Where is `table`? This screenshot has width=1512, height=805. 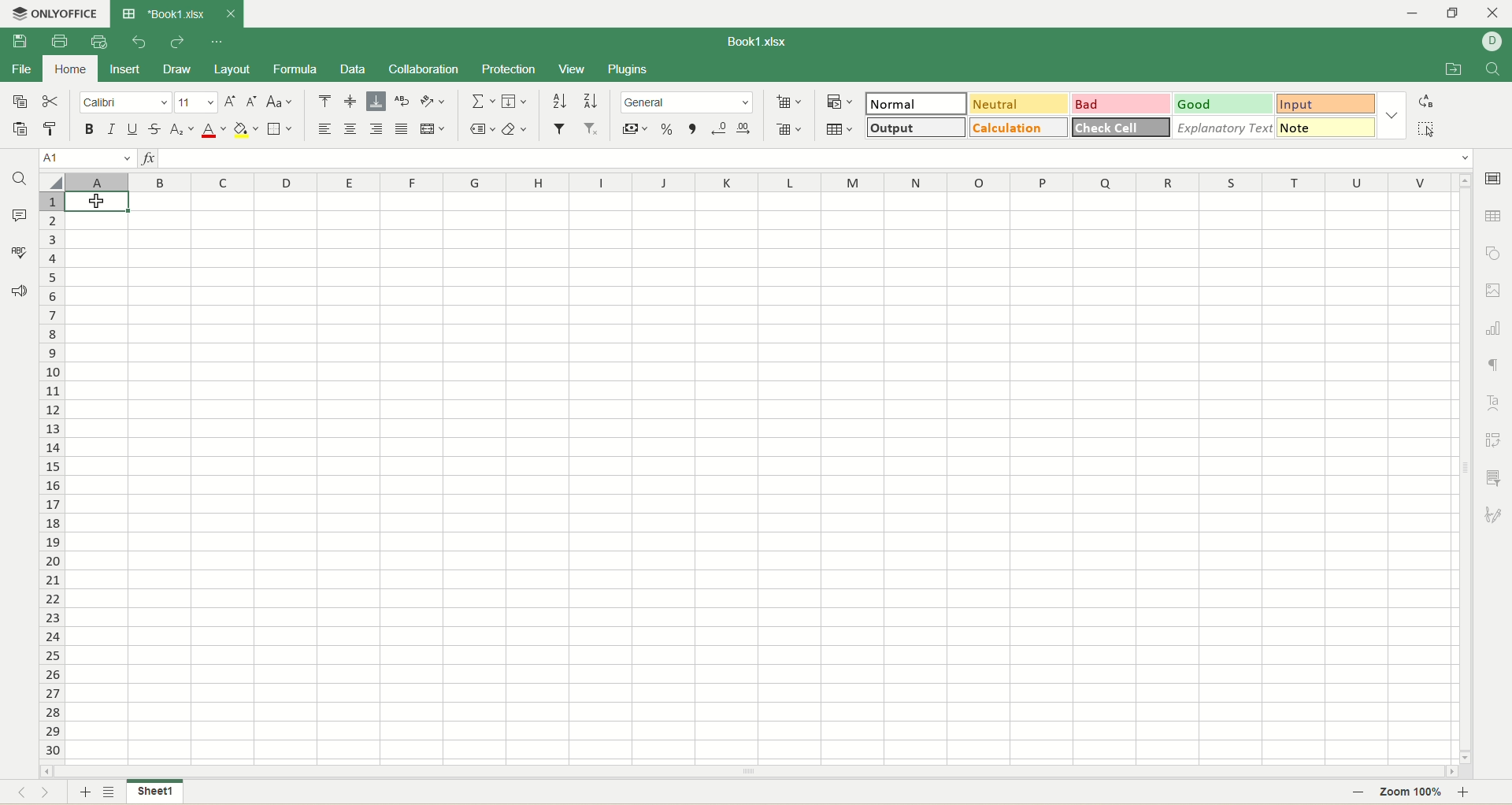
table is located at coordinates (843, 129).